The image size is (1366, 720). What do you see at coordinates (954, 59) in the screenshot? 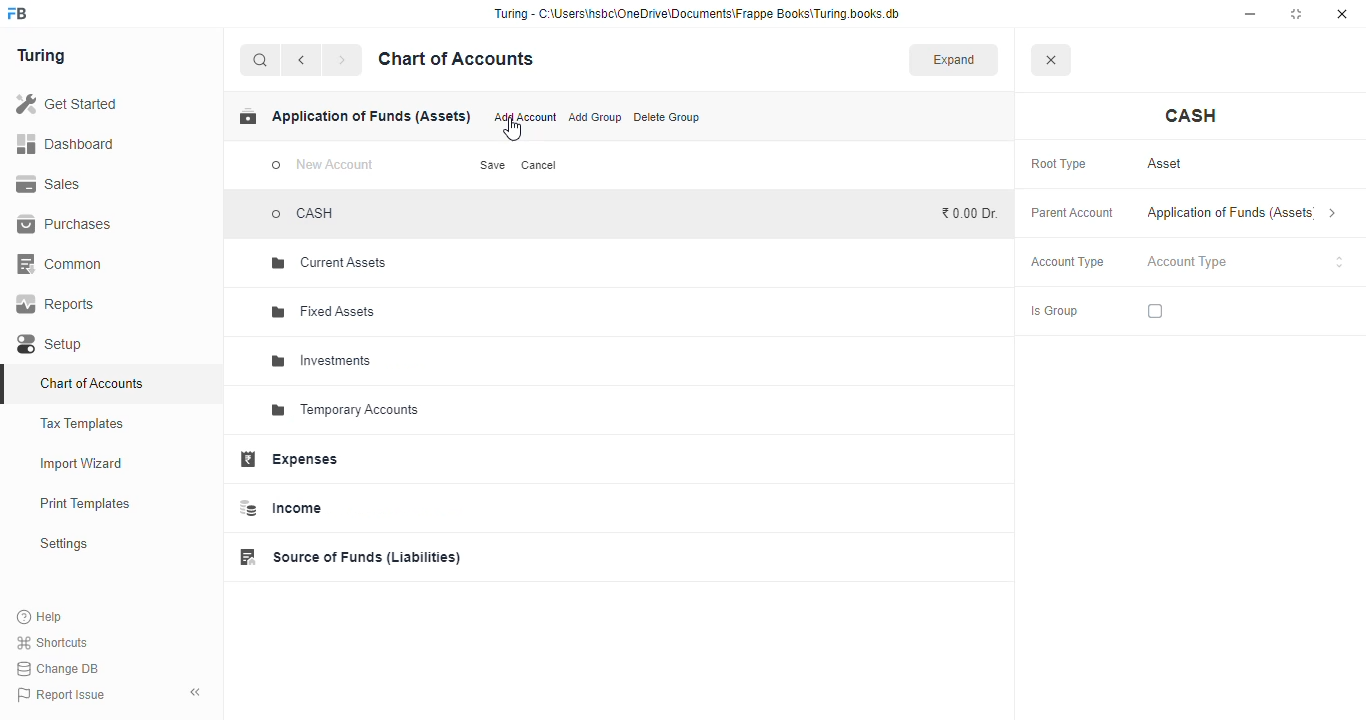
I see `expand` at bounding box center [954, 59].